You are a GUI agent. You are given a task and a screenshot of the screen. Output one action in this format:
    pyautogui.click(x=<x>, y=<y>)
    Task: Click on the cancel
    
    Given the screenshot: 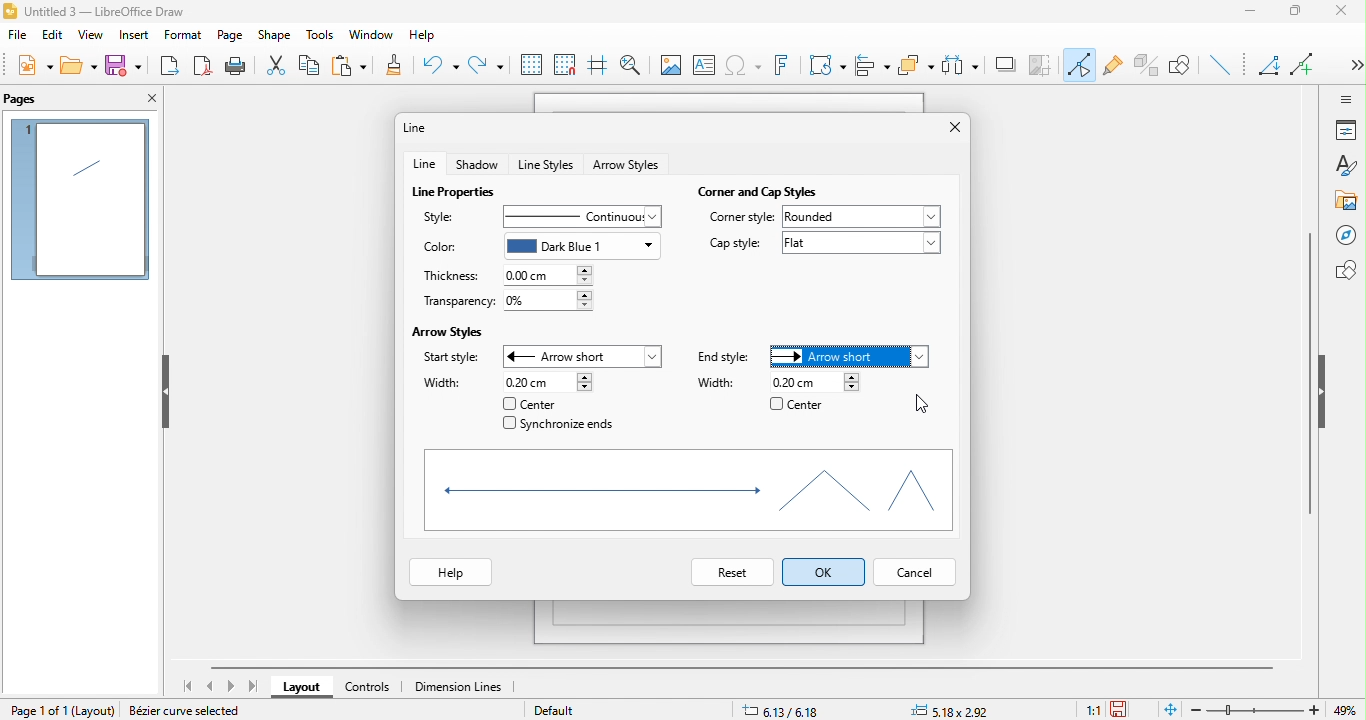 What is the action you would take?
    pyautogui.click(x=916, y=574)
    